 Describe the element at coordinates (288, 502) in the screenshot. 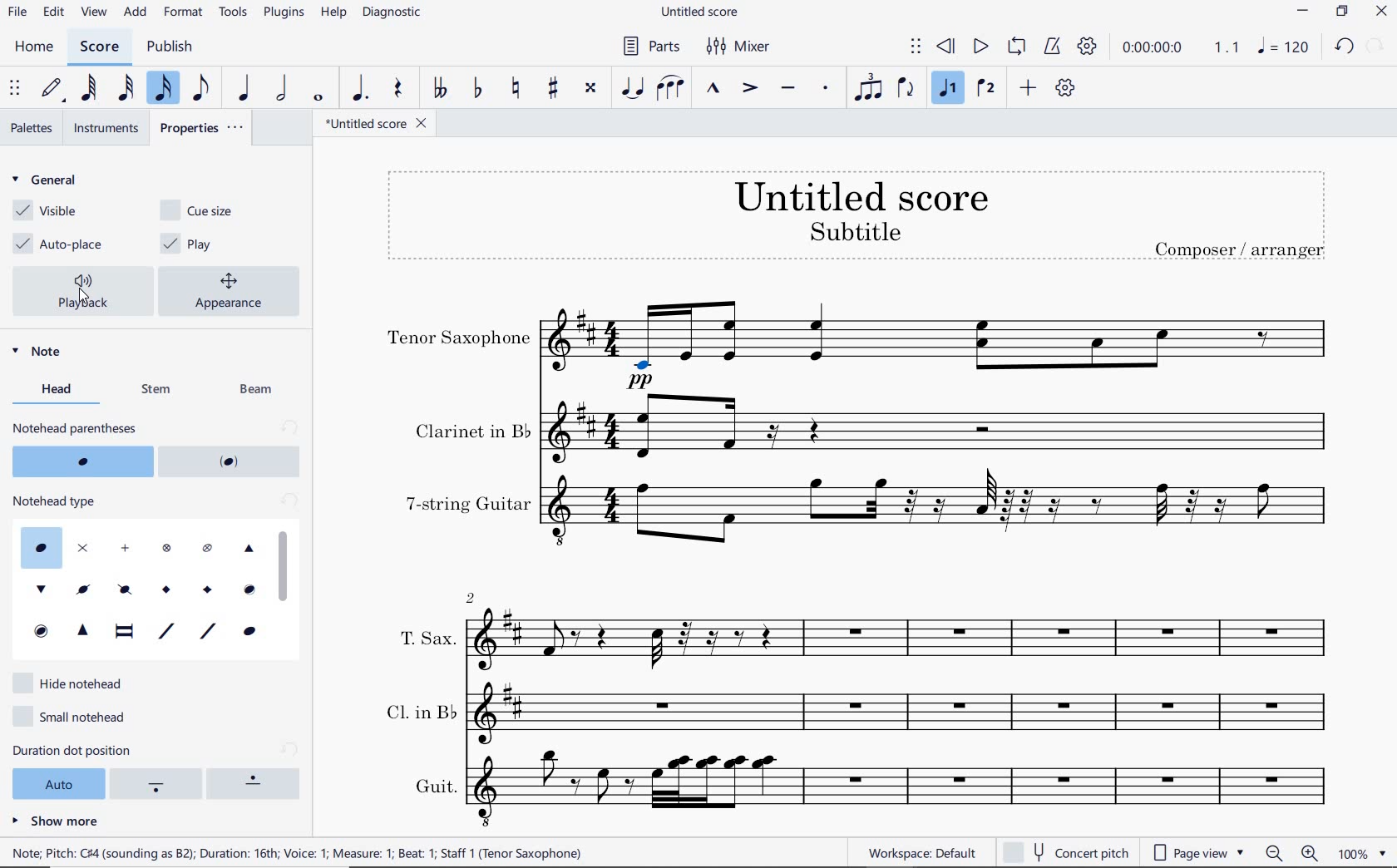

I see `reset` at that location.